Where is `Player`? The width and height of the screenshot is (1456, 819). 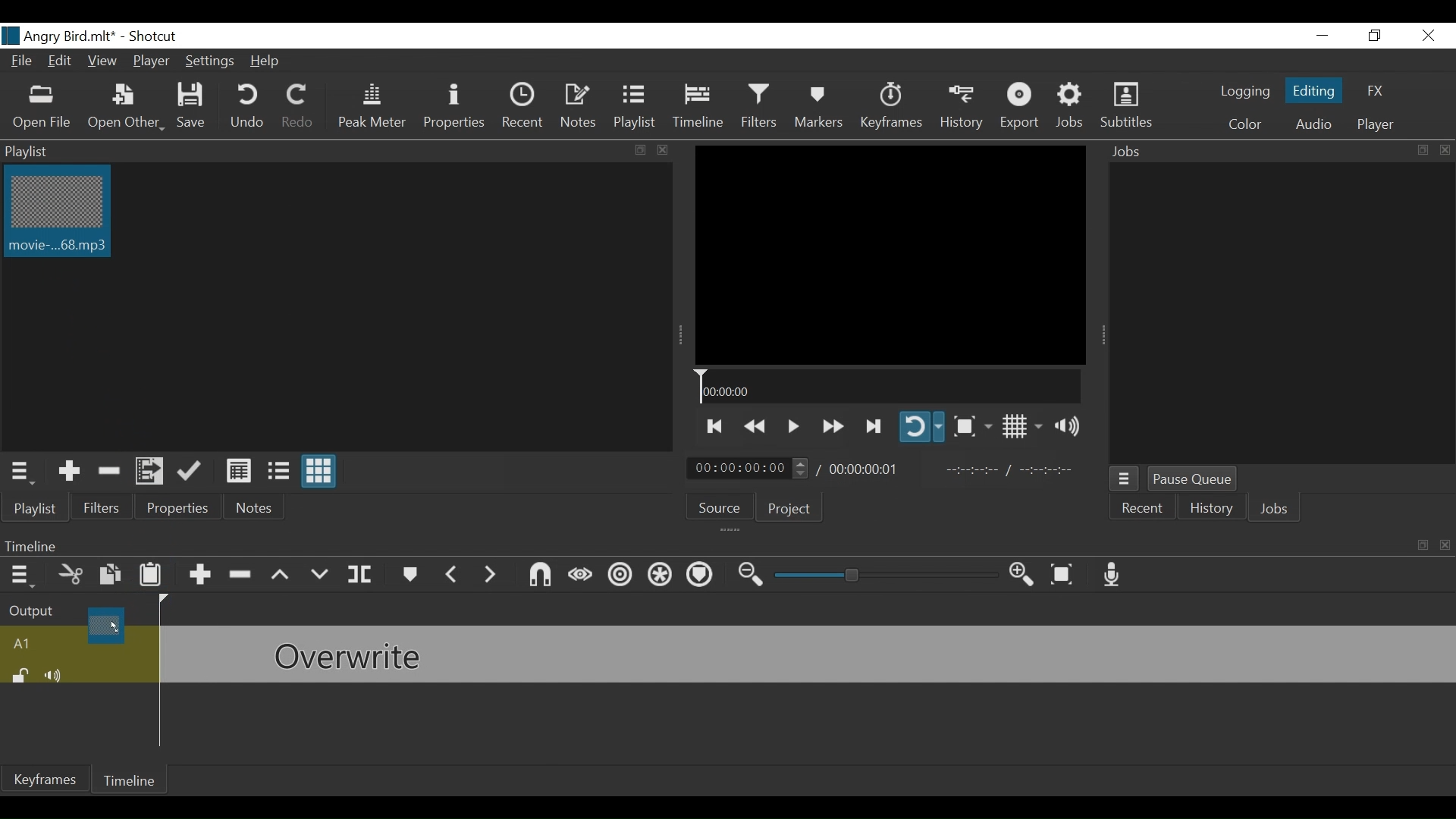
Player is located at coordinates (149, 63).